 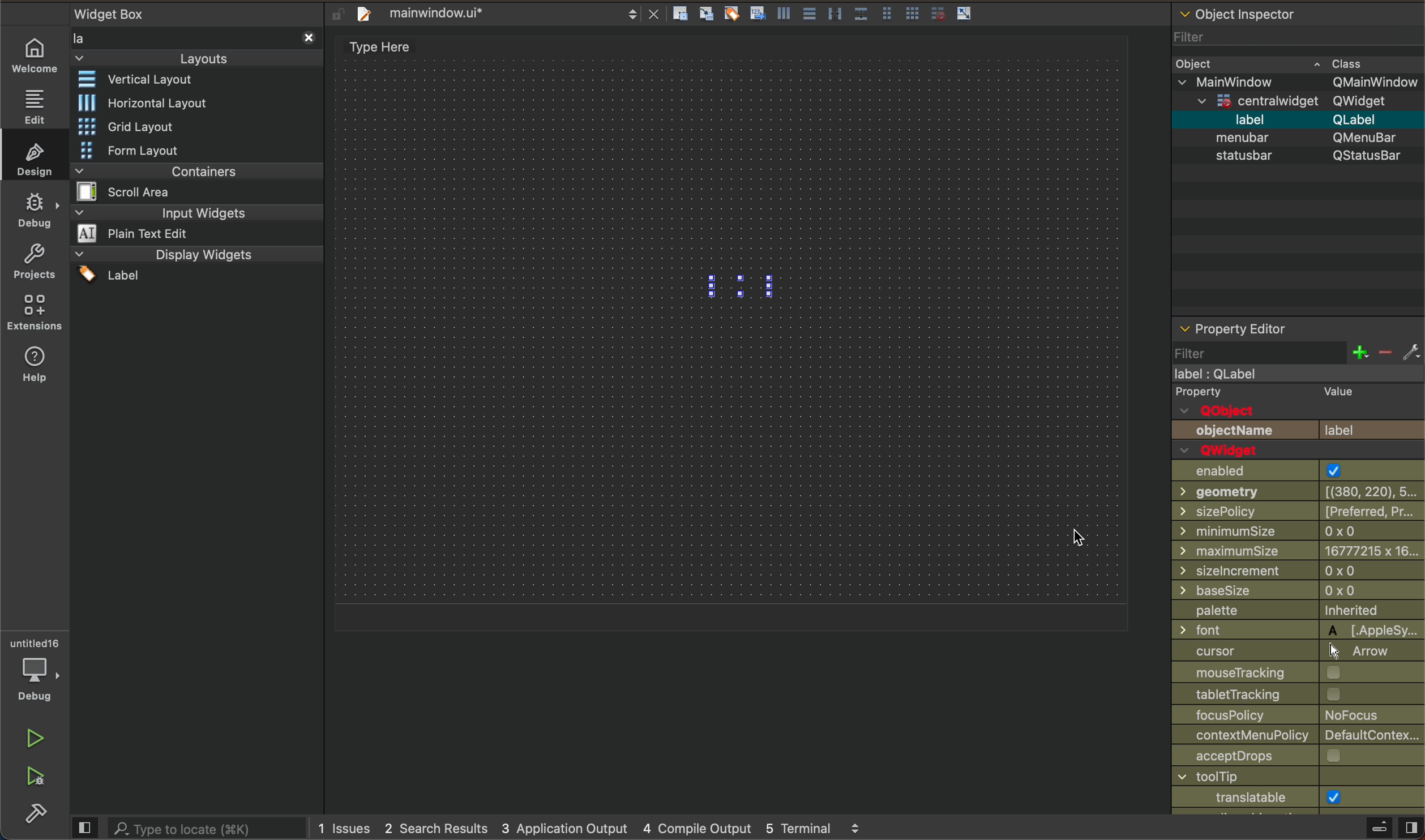 I want to click on 4 compile output, so click(x=697, y=826).